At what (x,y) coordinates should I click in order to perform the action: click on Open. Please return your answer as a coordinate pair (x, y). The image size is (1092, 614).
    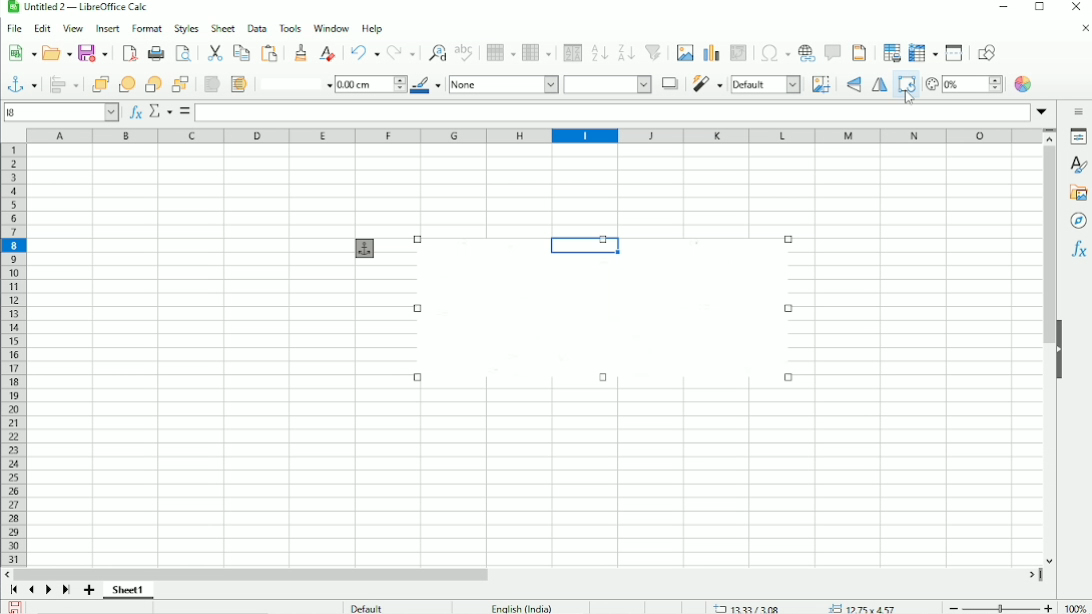
    Looking at the image, I should click on (57, 53).